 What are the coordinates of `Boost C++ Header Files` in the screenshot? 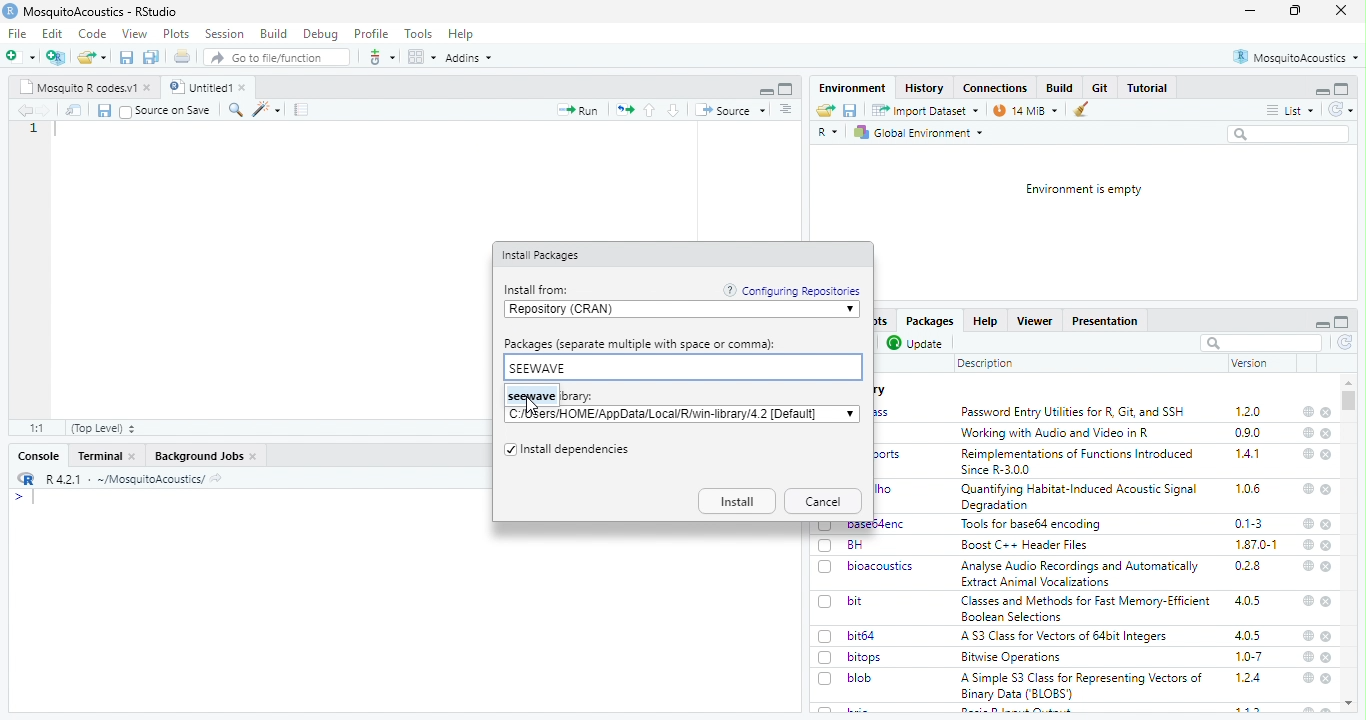 It's located at (1030, 545).